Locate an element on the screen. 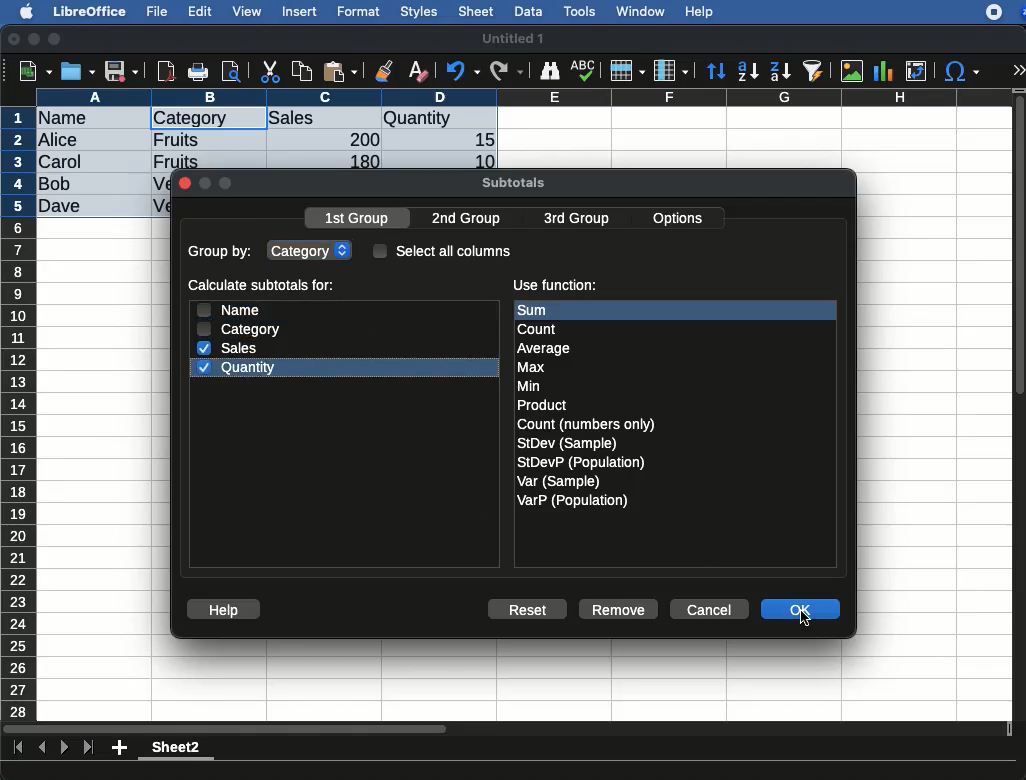 The width and height of the screenshot is (1026, 780). clone formatting is located at coordinates (384, 72).